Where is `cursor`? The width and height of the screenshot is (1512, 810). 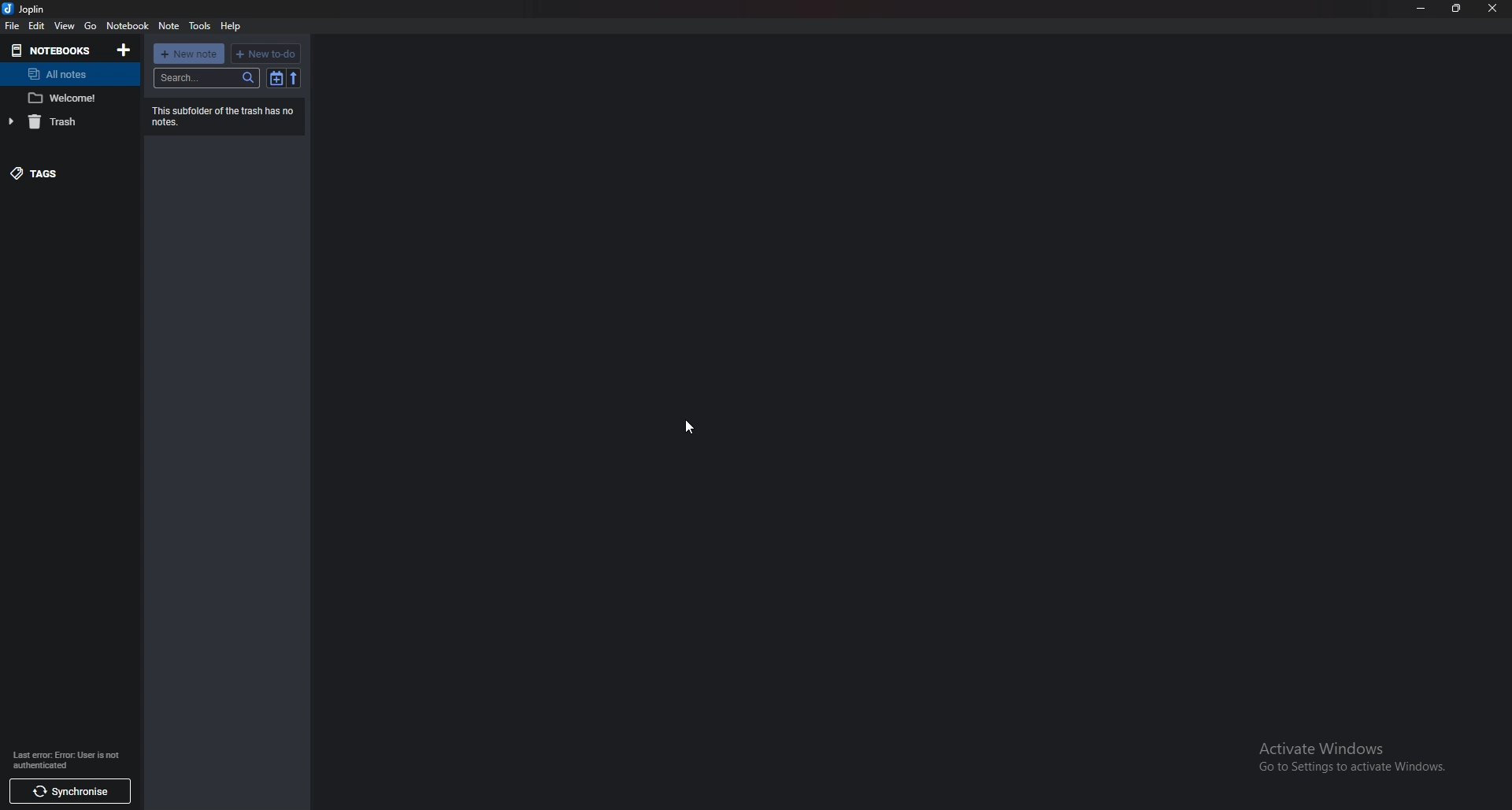 cursor is located at coordinates (690, 426).